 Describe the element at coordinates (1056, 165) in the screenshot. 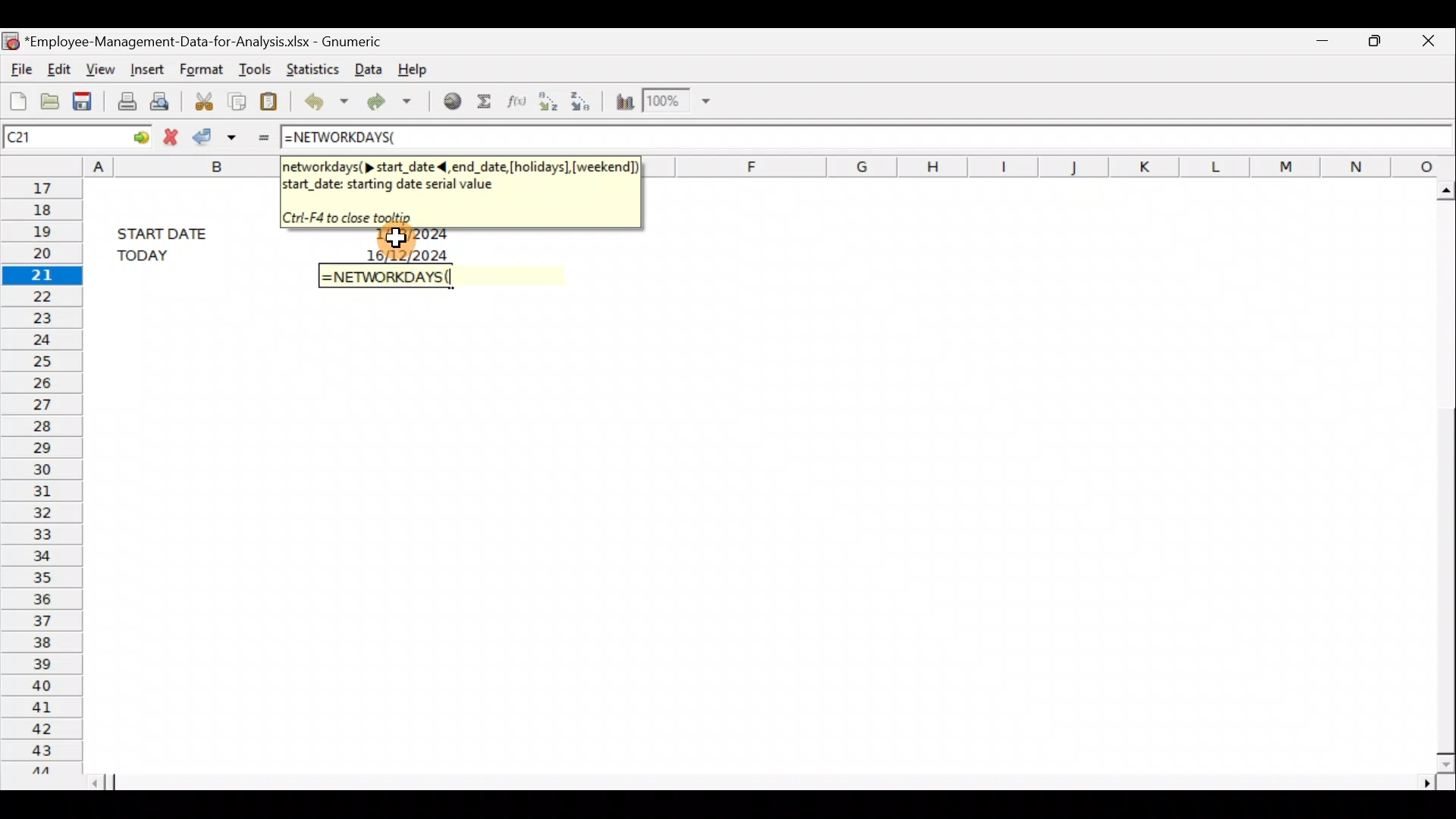

I see `Columns` at that location.